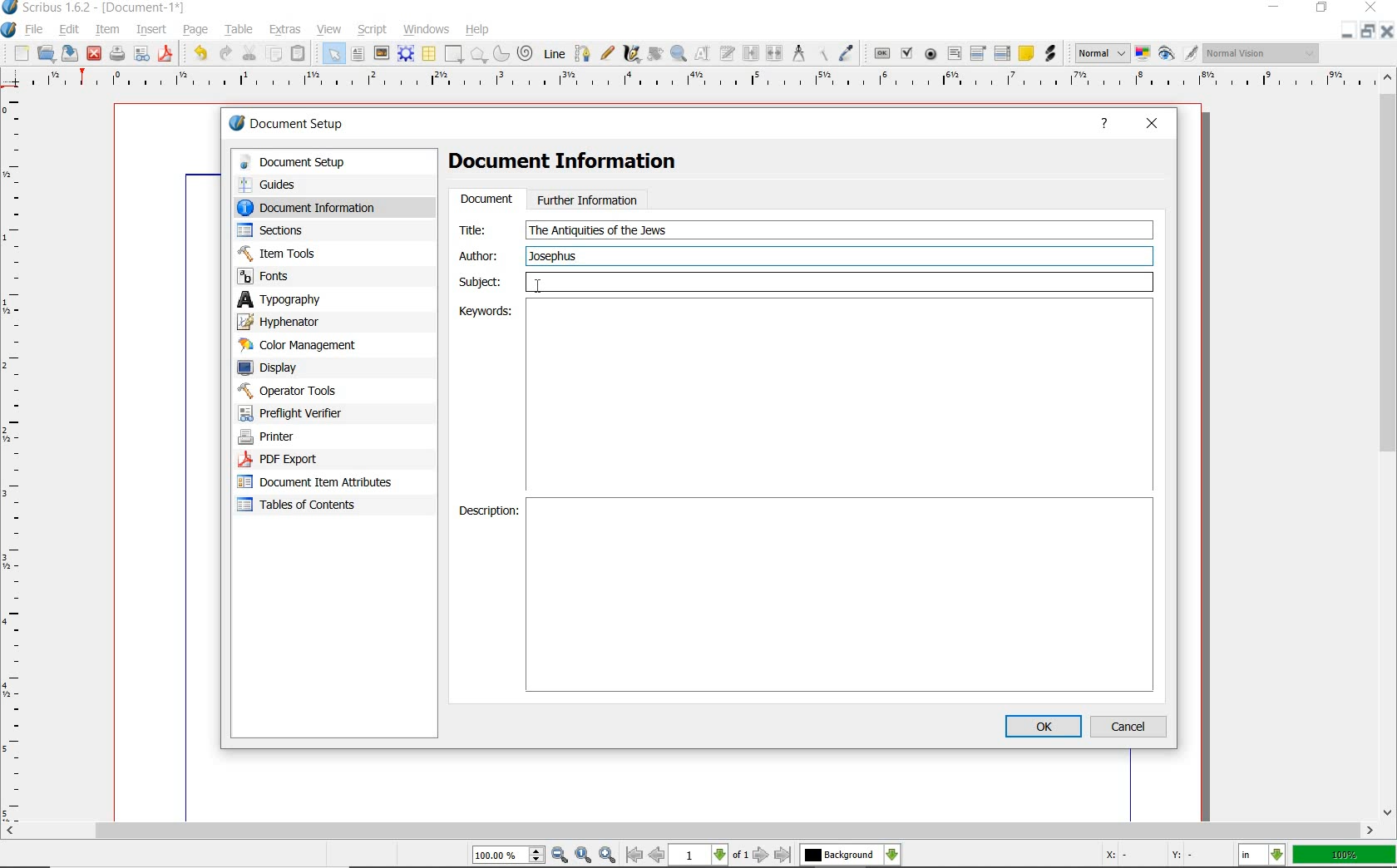 The height and width of the screenshot is (868, 1397). I want to click on script, so click(373, 30).